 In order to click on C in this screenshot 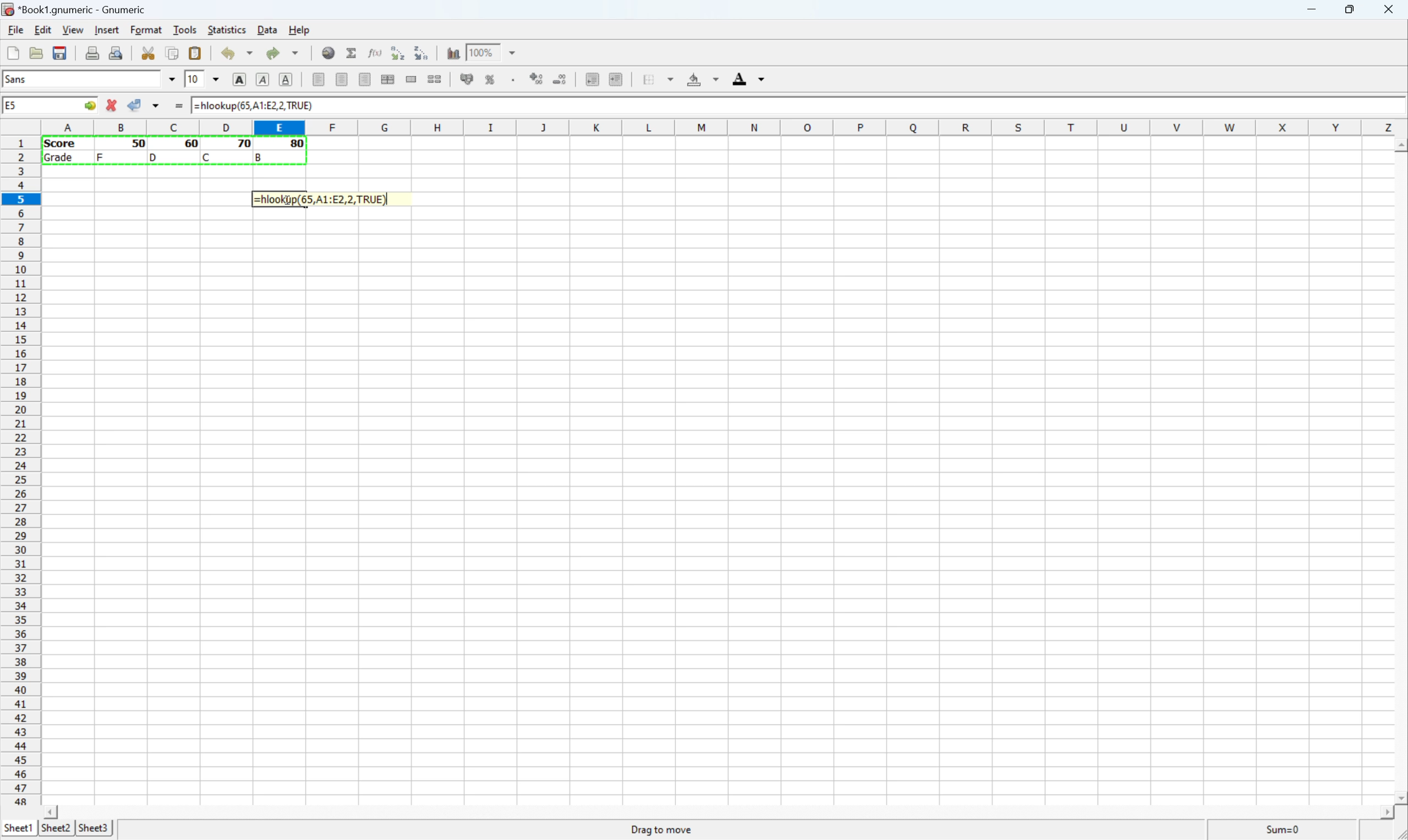, I will do `click(208, 157)`.